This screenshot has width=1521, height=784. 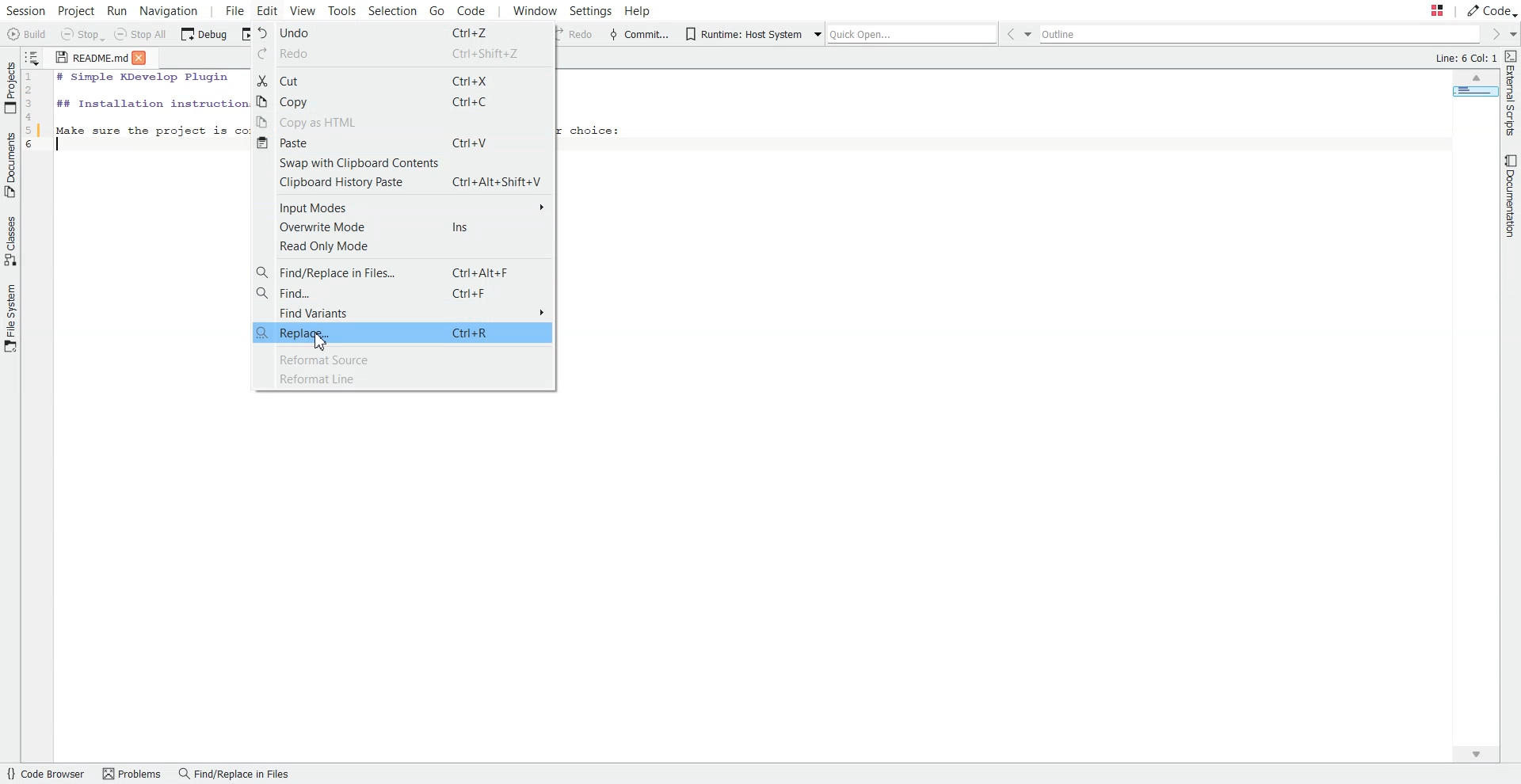 What do you see at coordinates (77, 10) in the screenshot?
I see `Project` at bounding box center [77, 10].